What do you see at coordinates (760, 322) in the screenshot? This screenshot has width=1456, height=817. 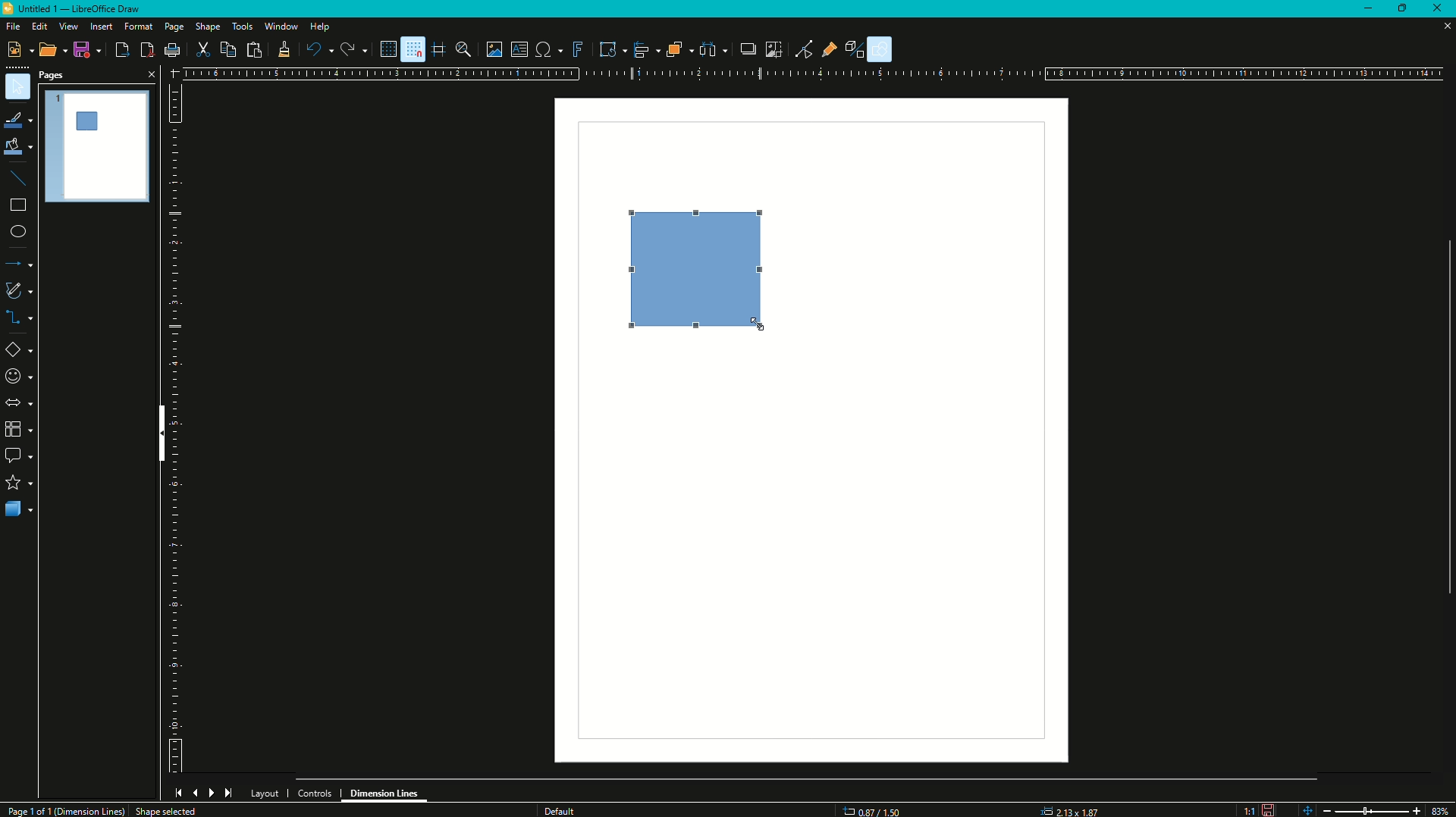 I see `Cursor` at bounding box center [760, 322].